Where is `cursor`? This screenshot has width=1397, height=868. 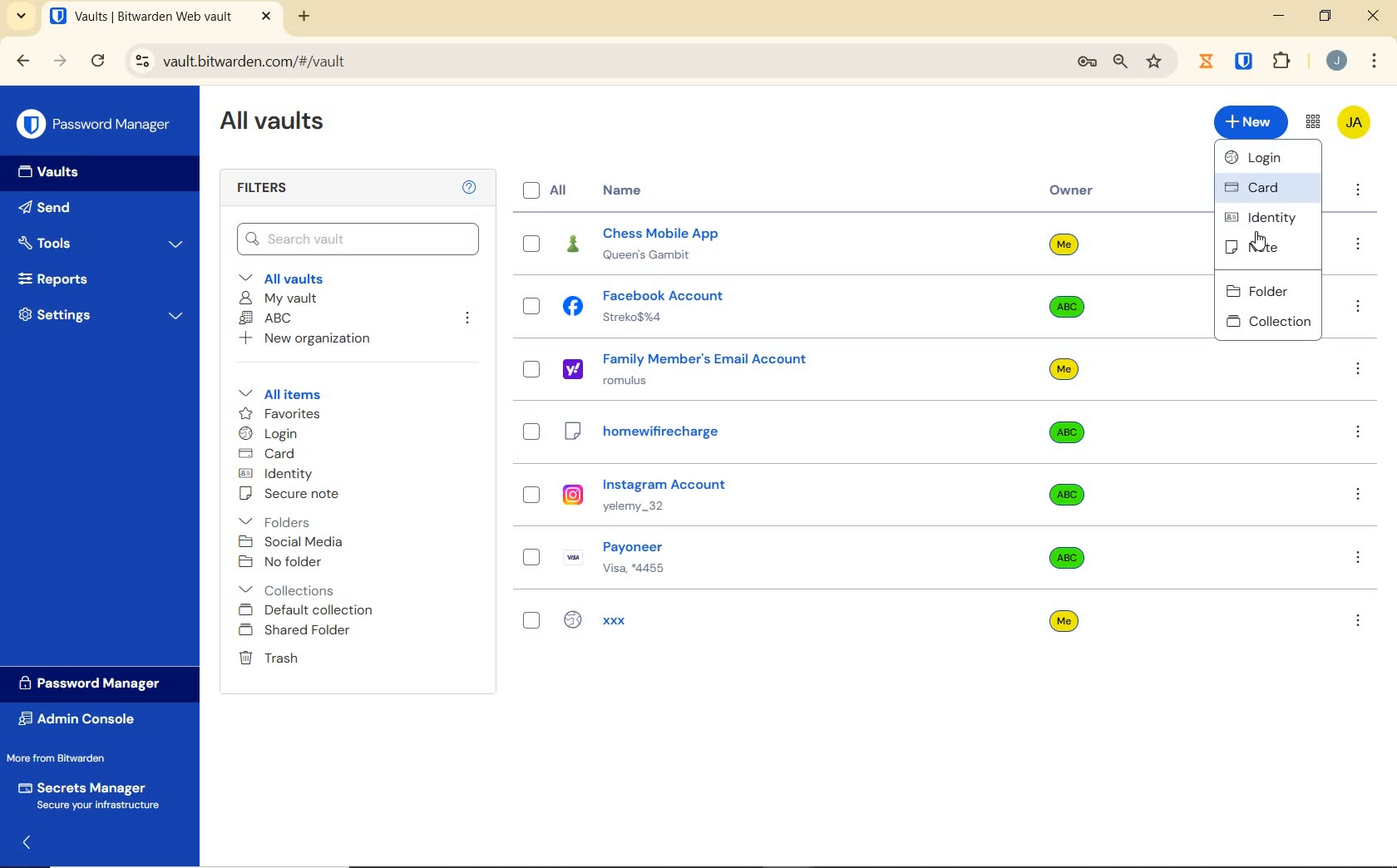
cursor is located at coordinates (1258, 242).